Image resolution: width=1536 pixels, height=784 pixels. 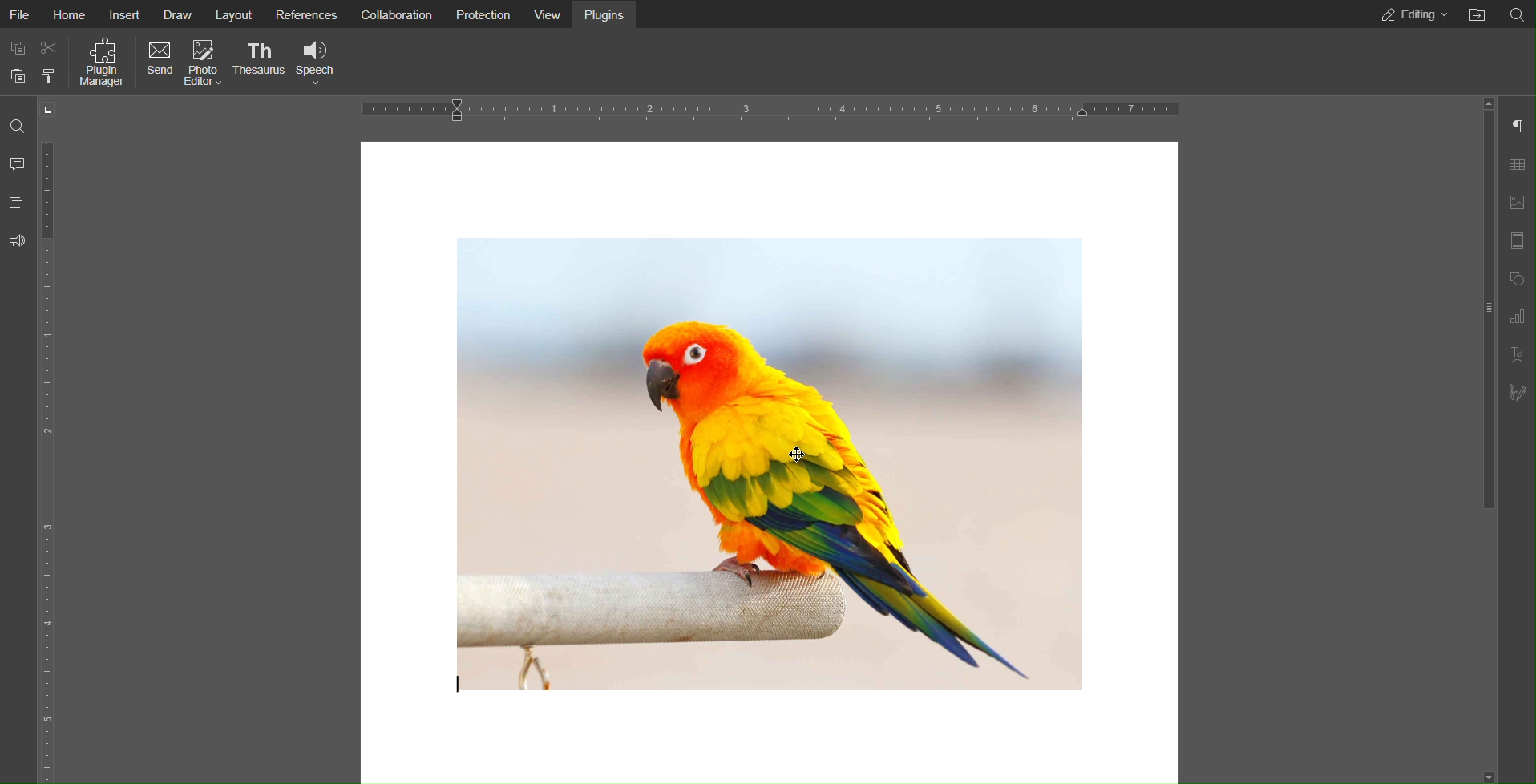 What do you see at coordinates (1411, 14) in the screenshot?
I see `Editing` at bounding box center [1411, 14].